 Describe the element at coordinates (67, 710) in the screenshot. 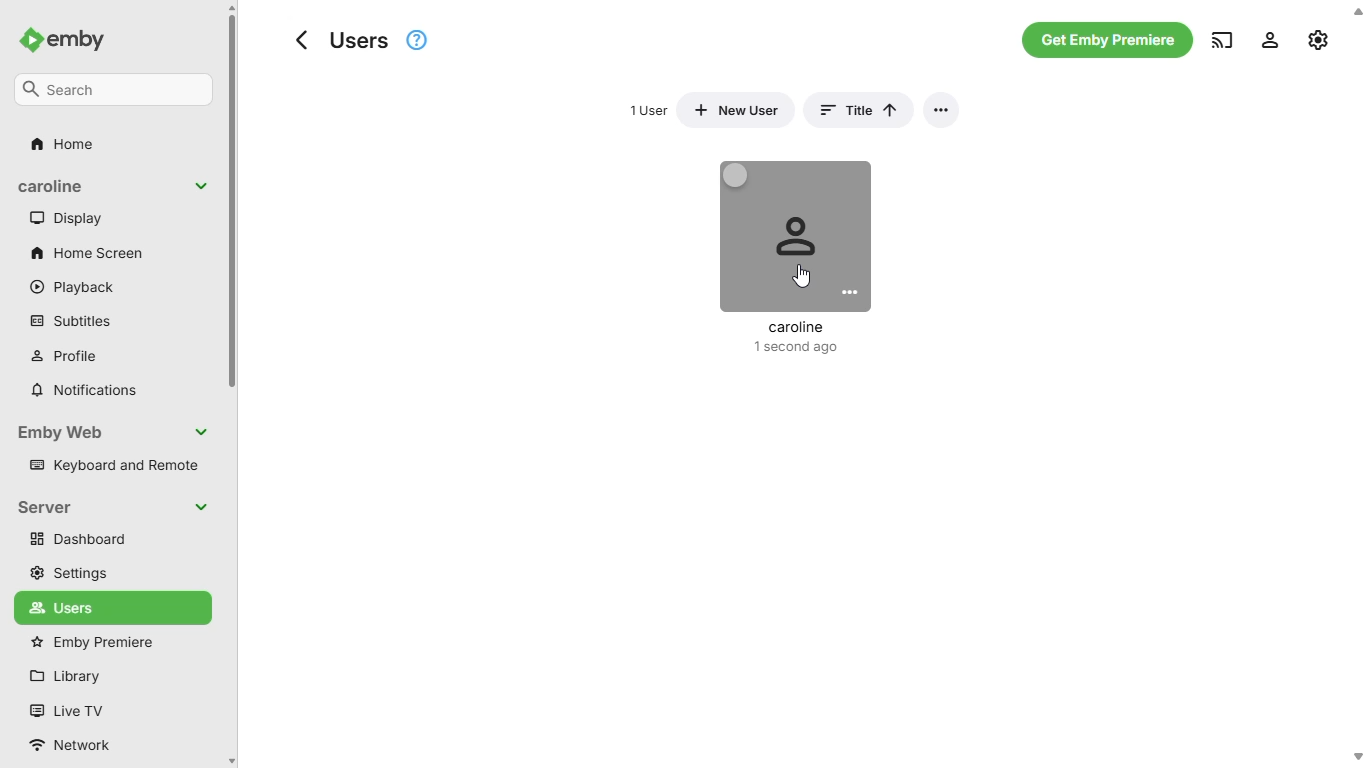

I see `live TV` at that location.